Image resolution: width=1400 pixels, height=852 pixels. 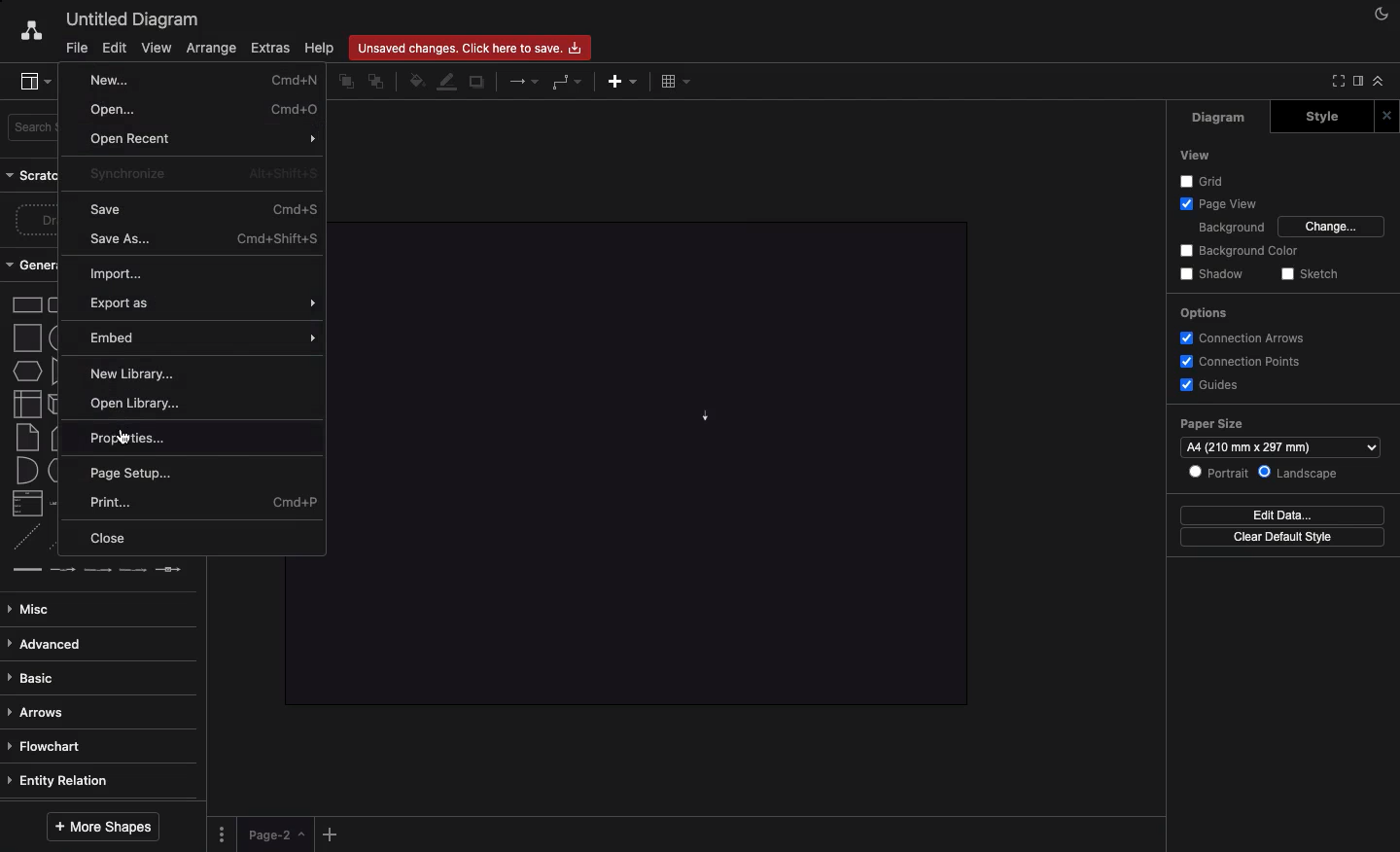 I want to click on Arrow, so click(x=704, y=418).